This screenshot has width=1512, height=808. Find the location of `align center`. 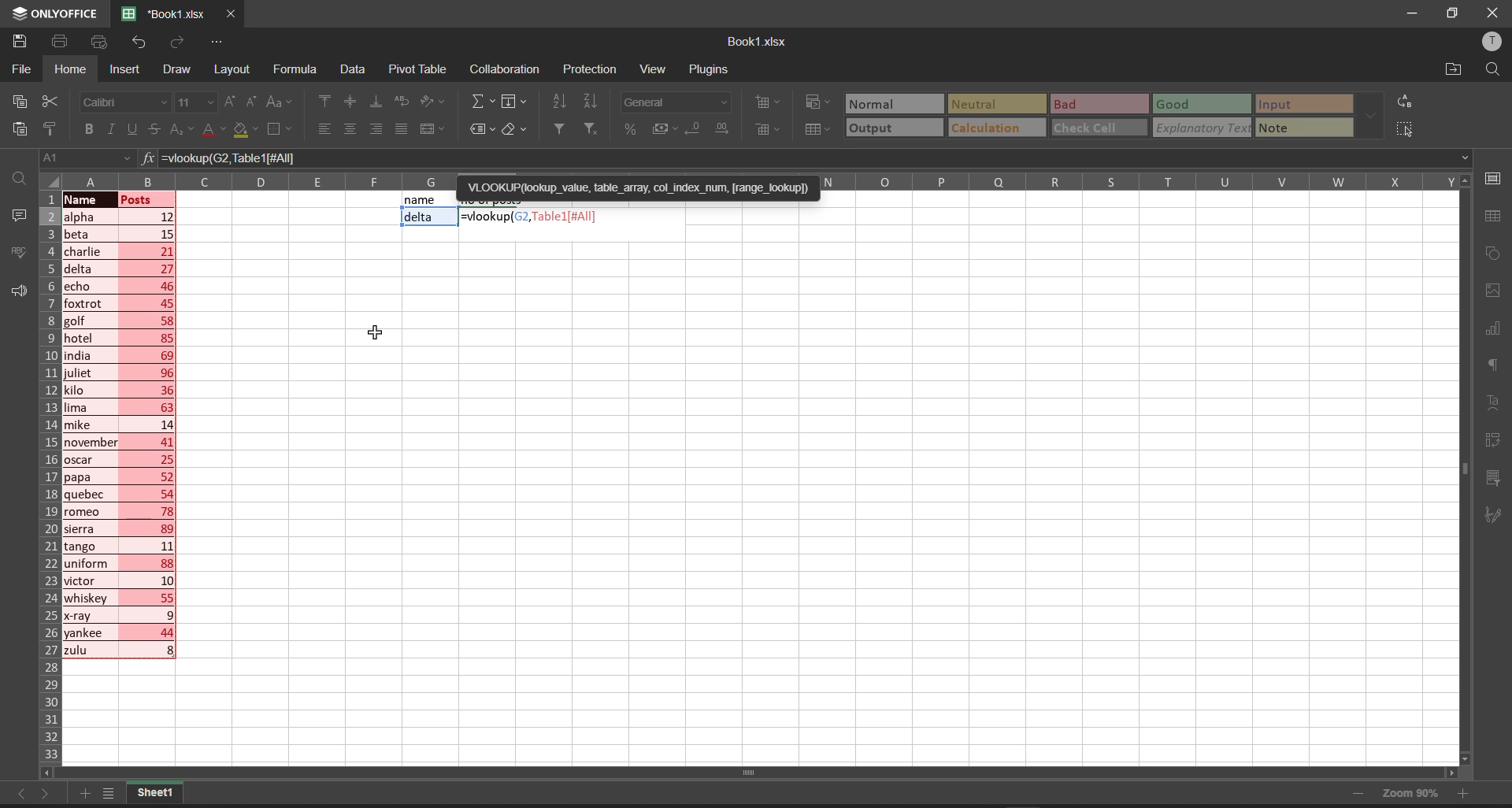

align center is located at coordinates (348, 130).